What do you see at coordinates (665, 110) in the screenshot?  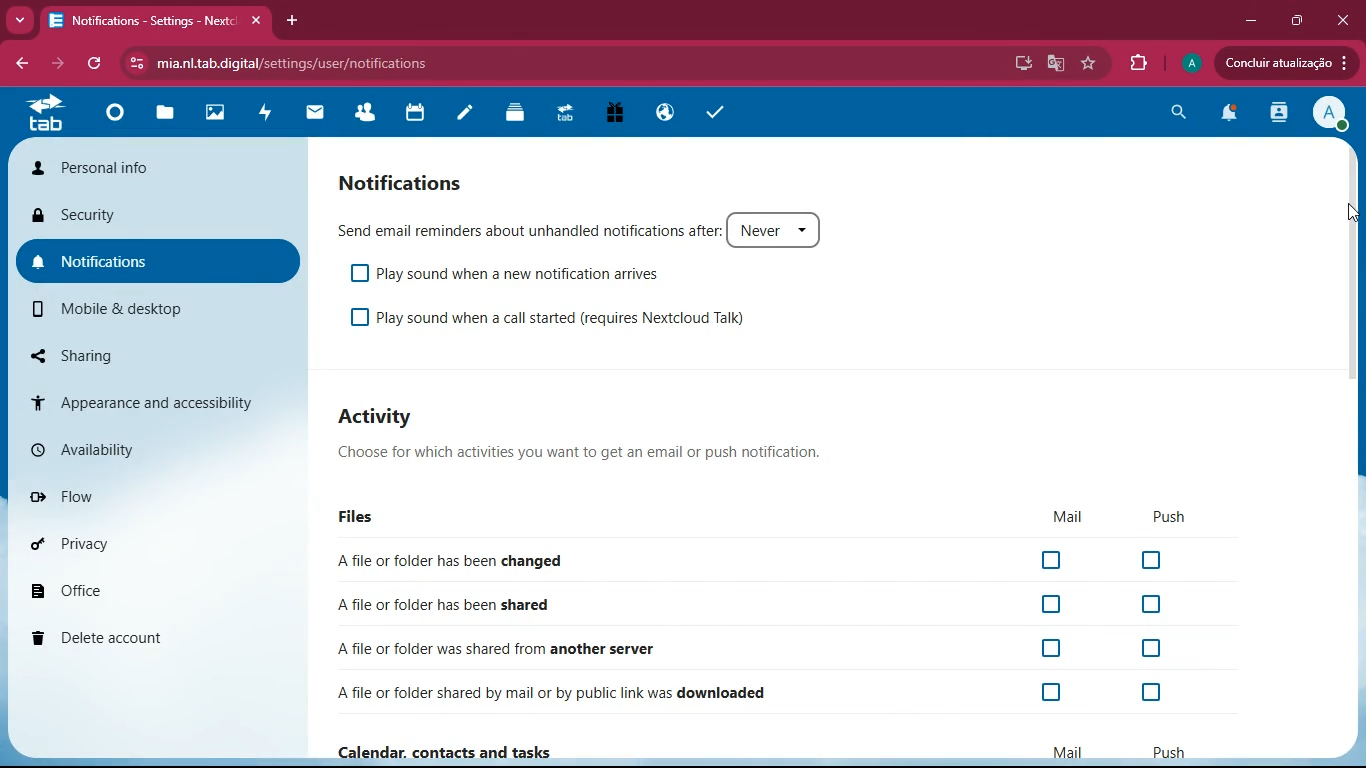 I see `public` at bounding box center [665, 110].